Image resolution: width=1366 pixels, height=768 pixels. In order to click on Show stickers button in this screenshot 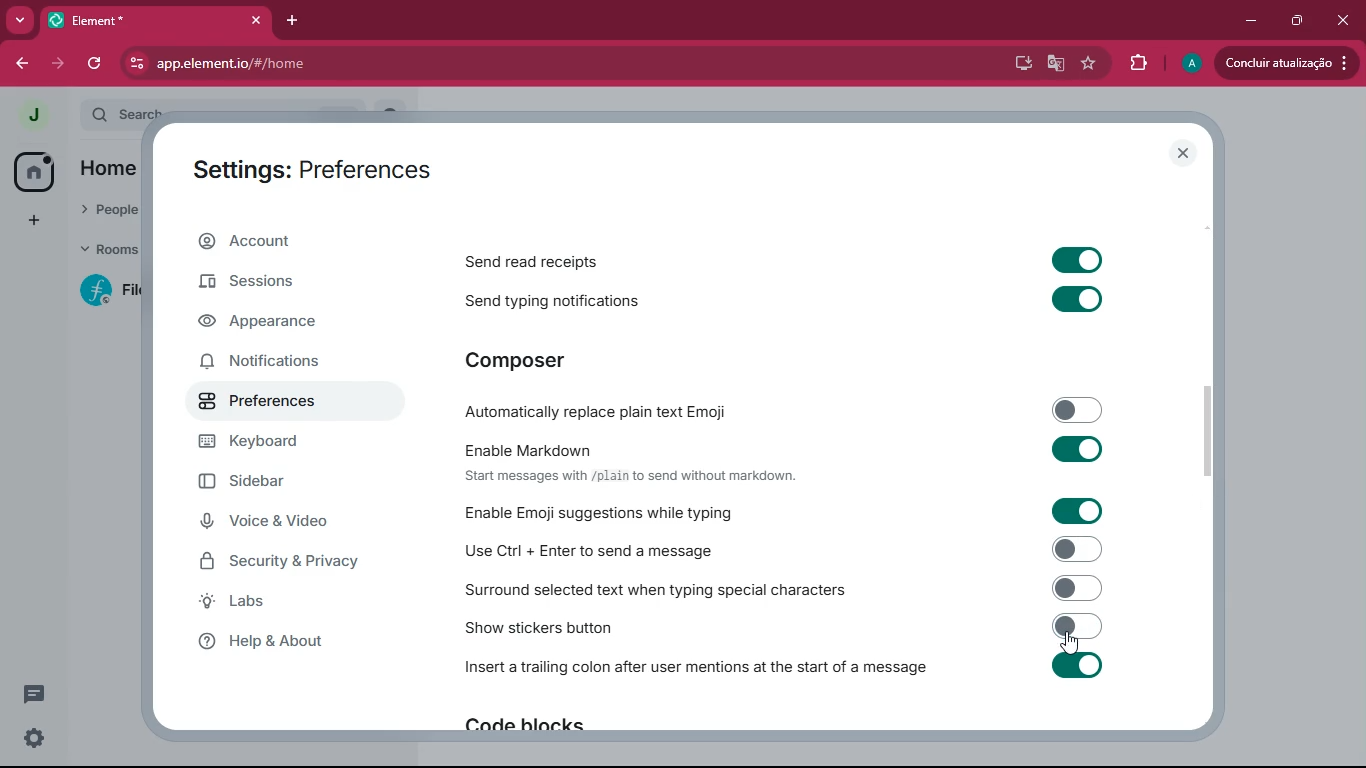, I will do `click(789, 630)`.